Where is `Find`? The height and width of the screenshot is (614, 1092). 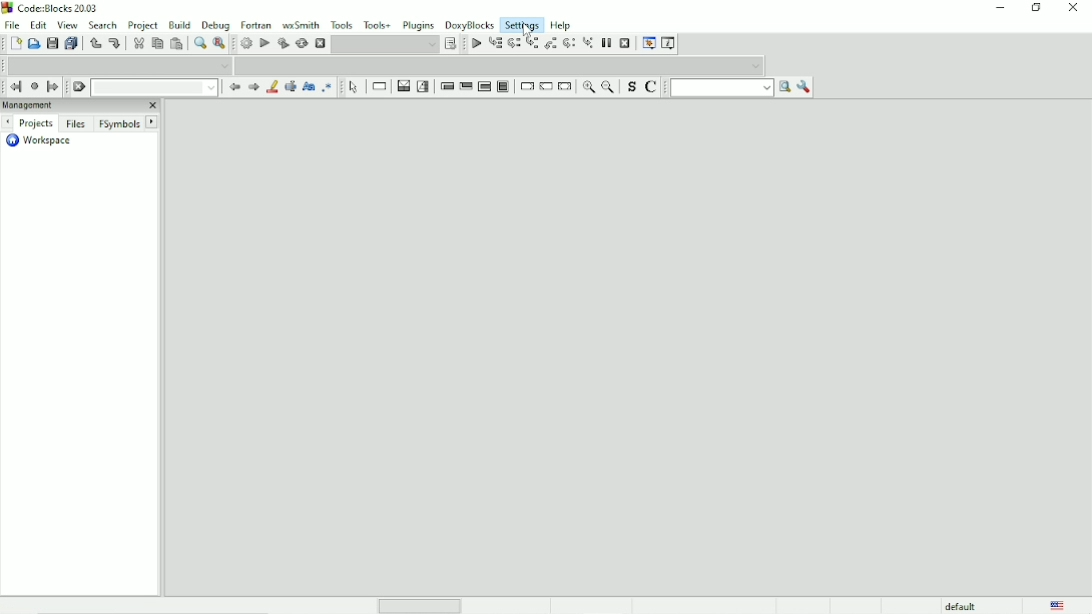 Find is located at coordinates (199, 43).